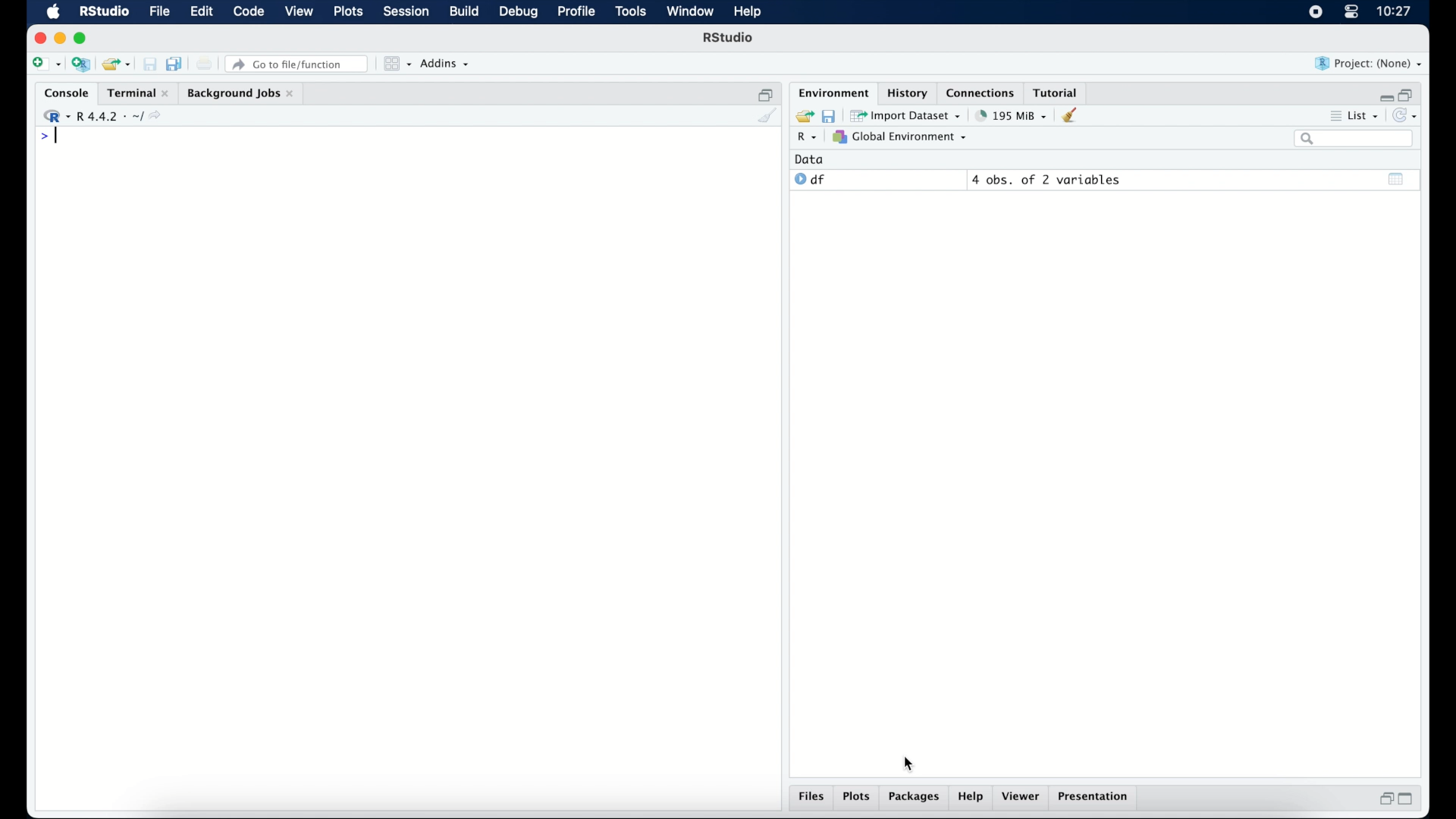  What do you see at coordinates (1384, 800) in the screenshot?
I see `restore down` at bounding box center [1384, 800].